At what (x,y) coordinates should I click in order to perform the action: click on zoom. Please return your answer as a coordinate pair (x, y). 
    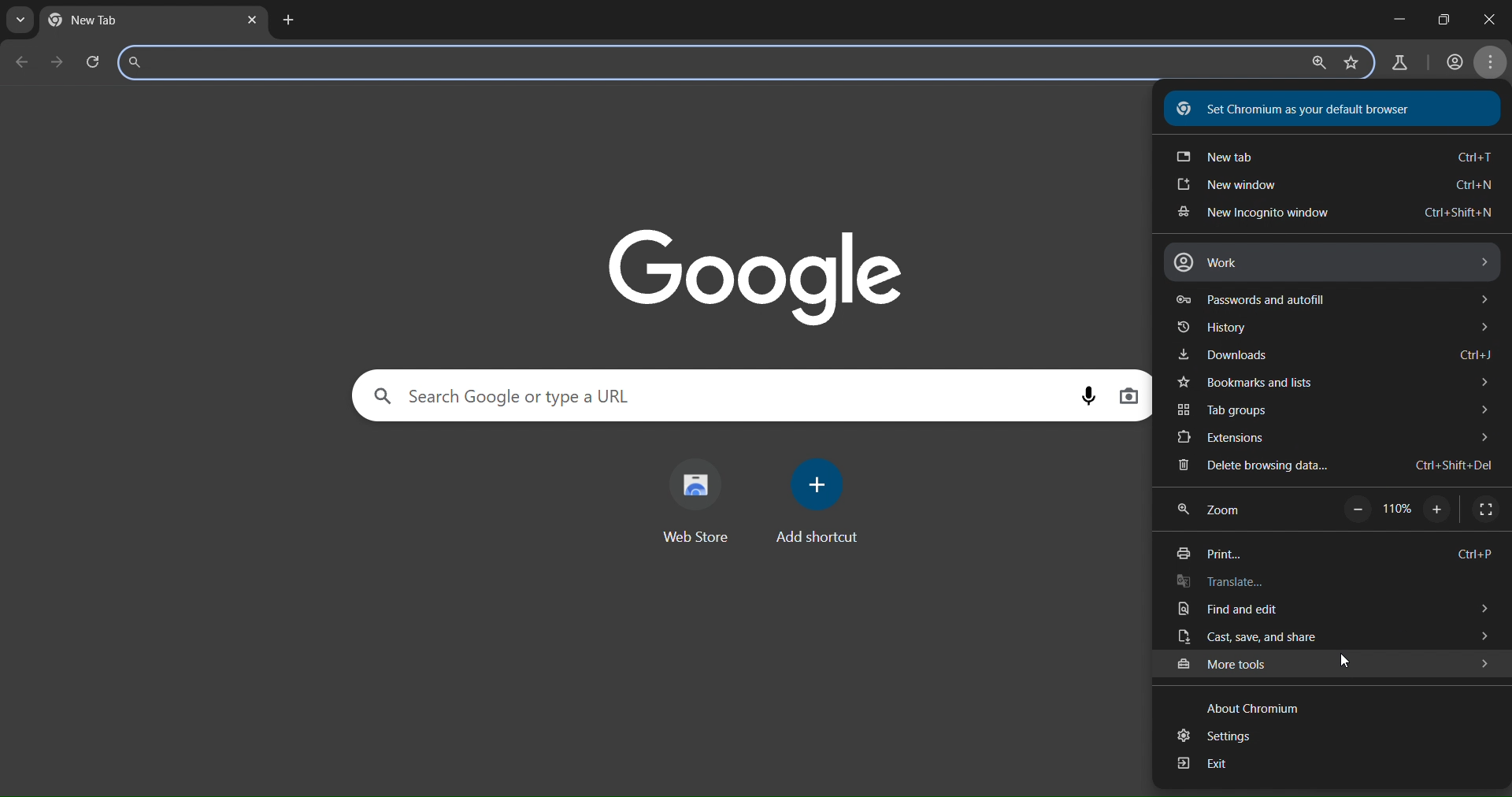
    Looking at the image, I should click on (1218, 509).